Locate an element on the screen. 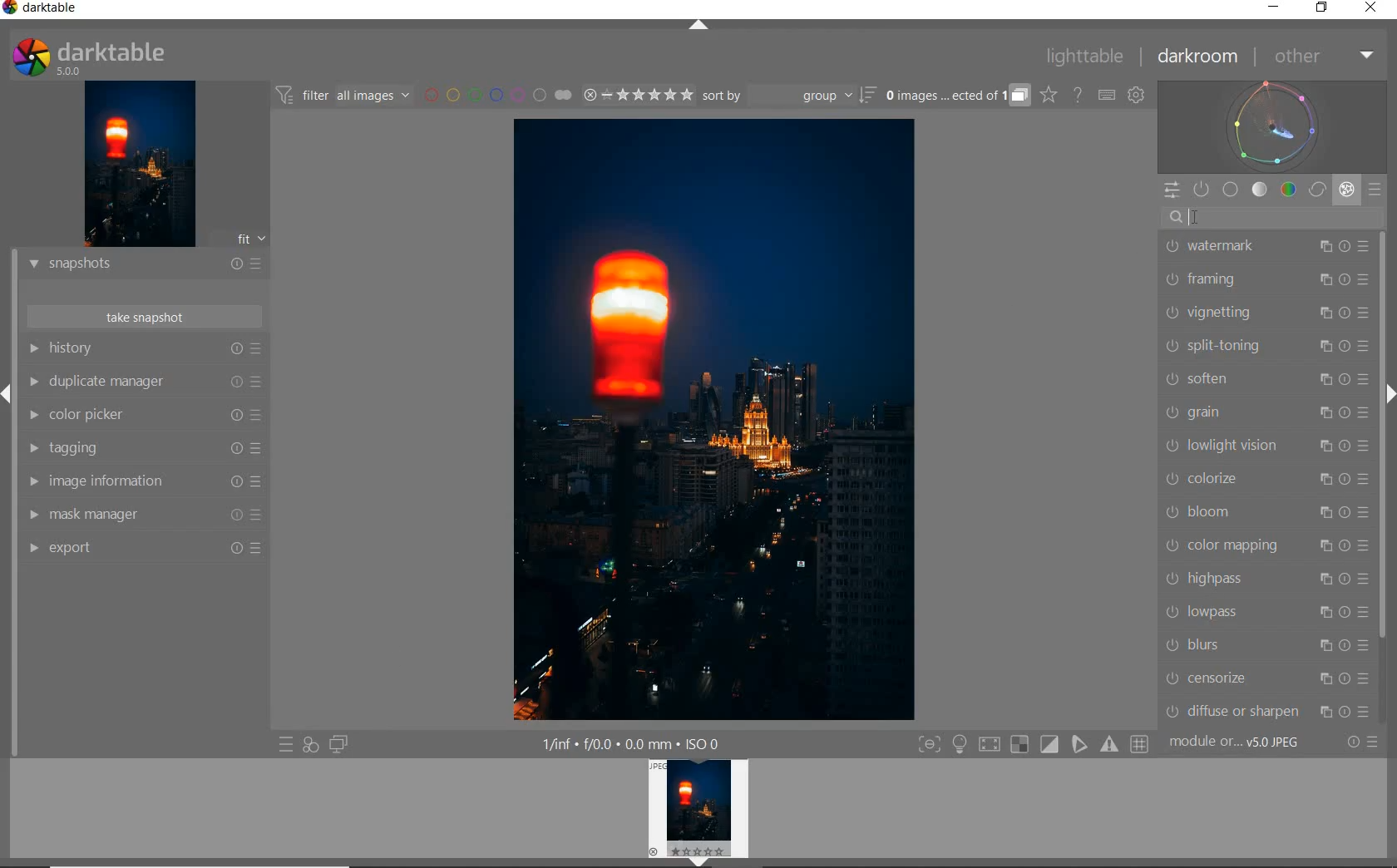 This screenshot has width=1397, height=868. expand/collapse is located at coordinates (1389, 399).